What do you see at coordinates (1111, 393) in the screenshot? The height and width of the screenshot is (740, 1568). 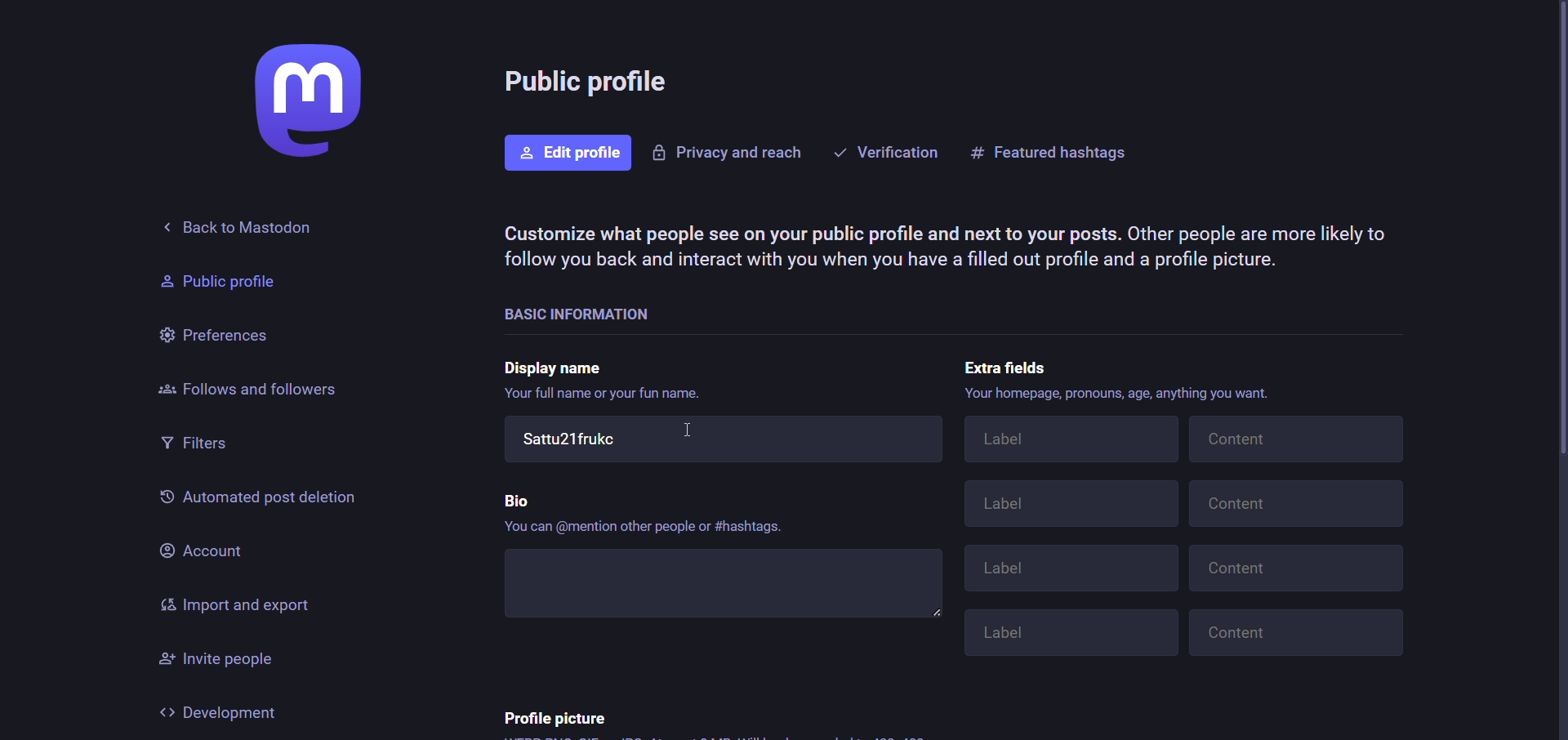 I see `Your homepage, pronouns, age, anything you want.` at bounding box center [1111, 393].